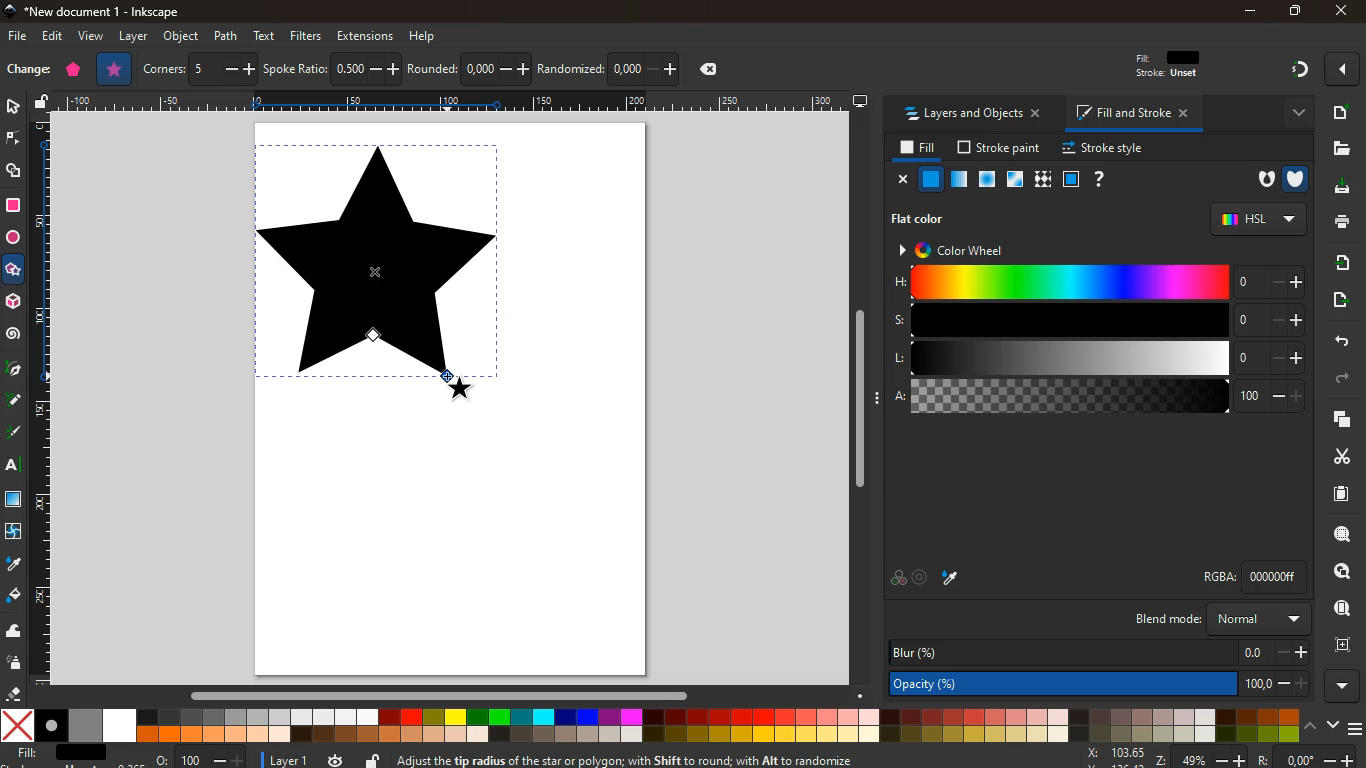 This screenshot has height=768, width=1366. What do you see at coordinates (611, 66) in the screenshot?
I see `randomized` at bounding box center [611, 66].